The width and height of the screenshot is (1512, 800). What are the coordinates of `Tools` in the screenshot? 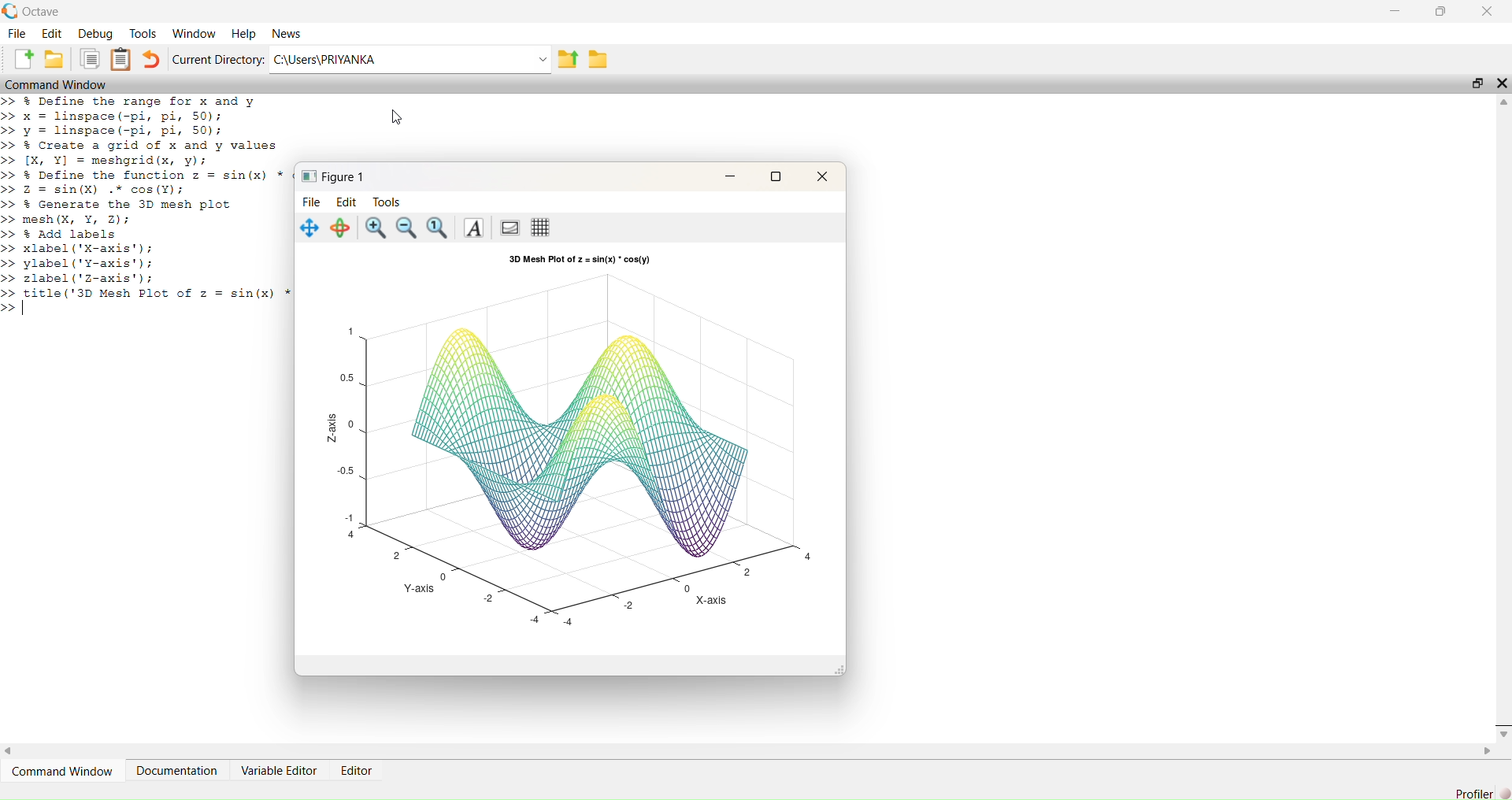 It's located at (387, 201).